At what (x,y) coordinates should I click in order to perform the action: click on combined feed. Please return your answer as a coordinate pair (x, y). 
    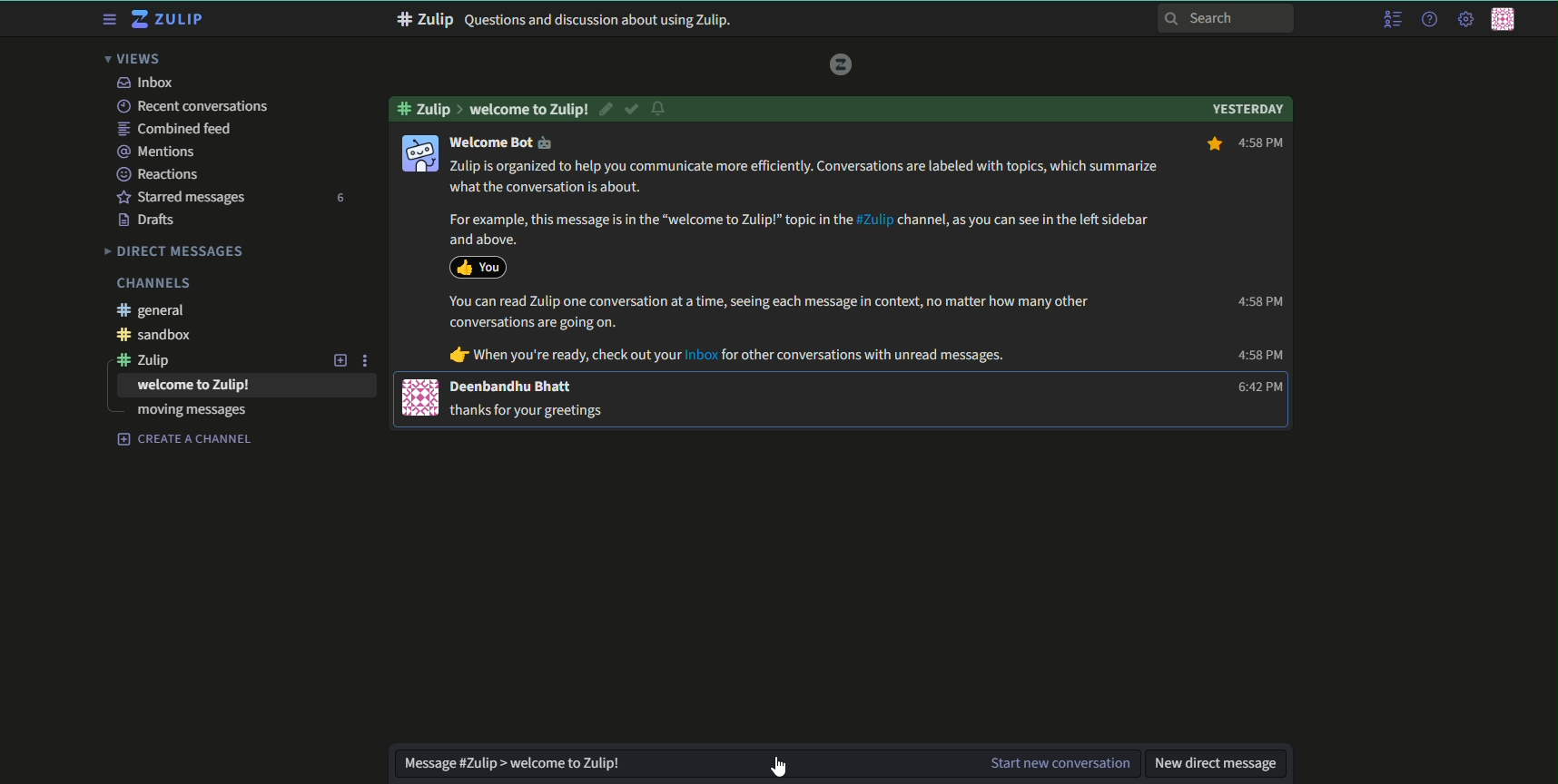
    Looking at the image, I should click on (177, 129).